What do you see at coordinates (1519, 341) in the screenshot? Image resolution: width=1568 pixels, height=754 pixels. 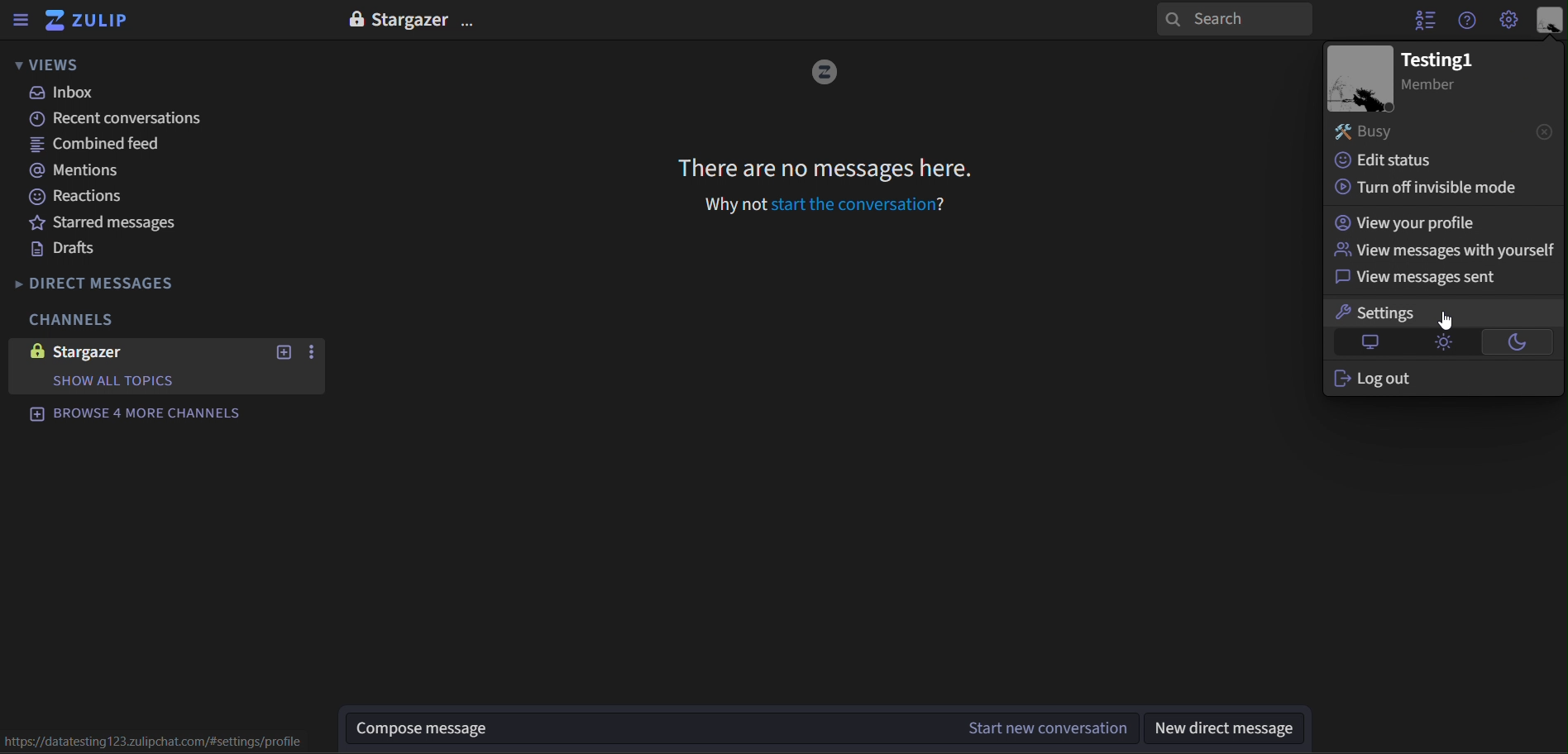 I see `dark theme` at bounding box center [1519, 341].